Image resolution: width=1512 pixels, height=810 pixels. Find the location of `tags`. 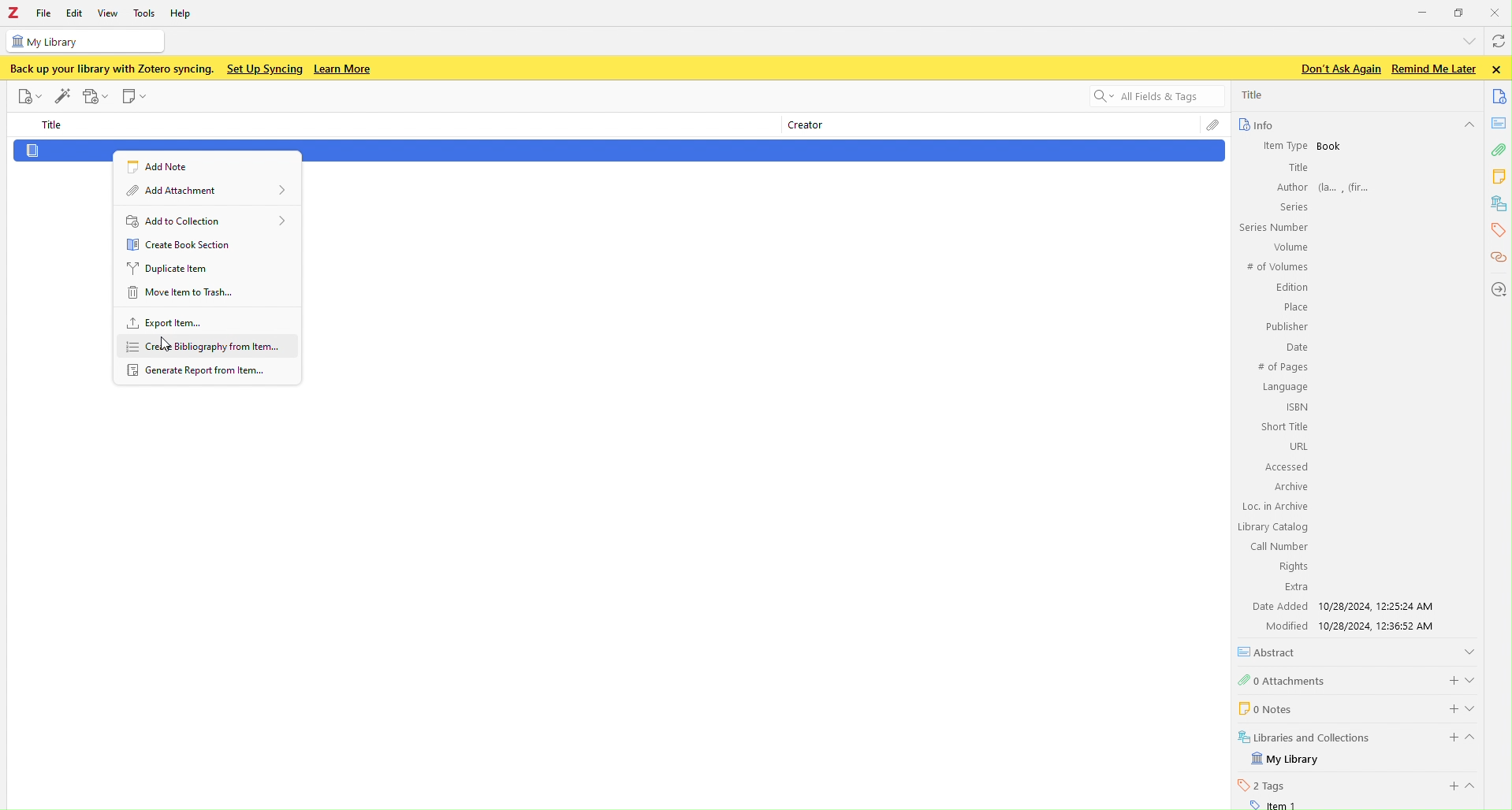

tags is located at coordinates (1496, 230).